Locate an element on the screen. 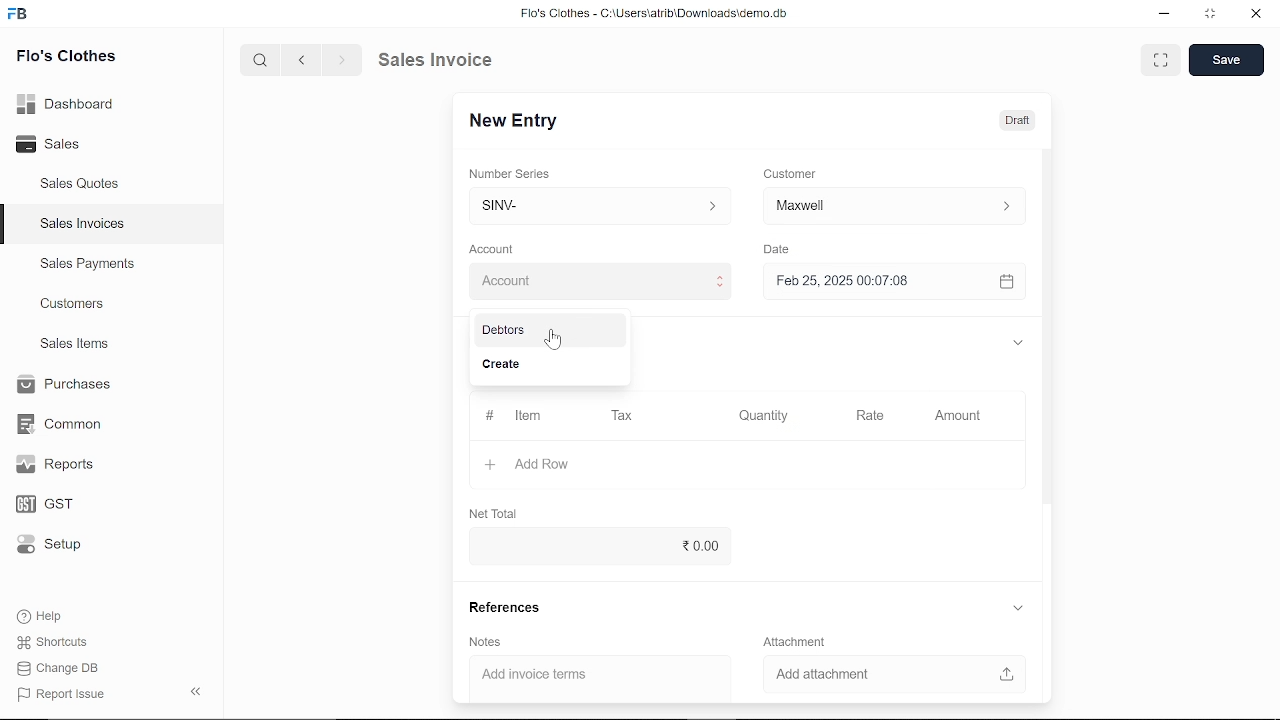  Sales Payments is located at coordinates (87, 264).